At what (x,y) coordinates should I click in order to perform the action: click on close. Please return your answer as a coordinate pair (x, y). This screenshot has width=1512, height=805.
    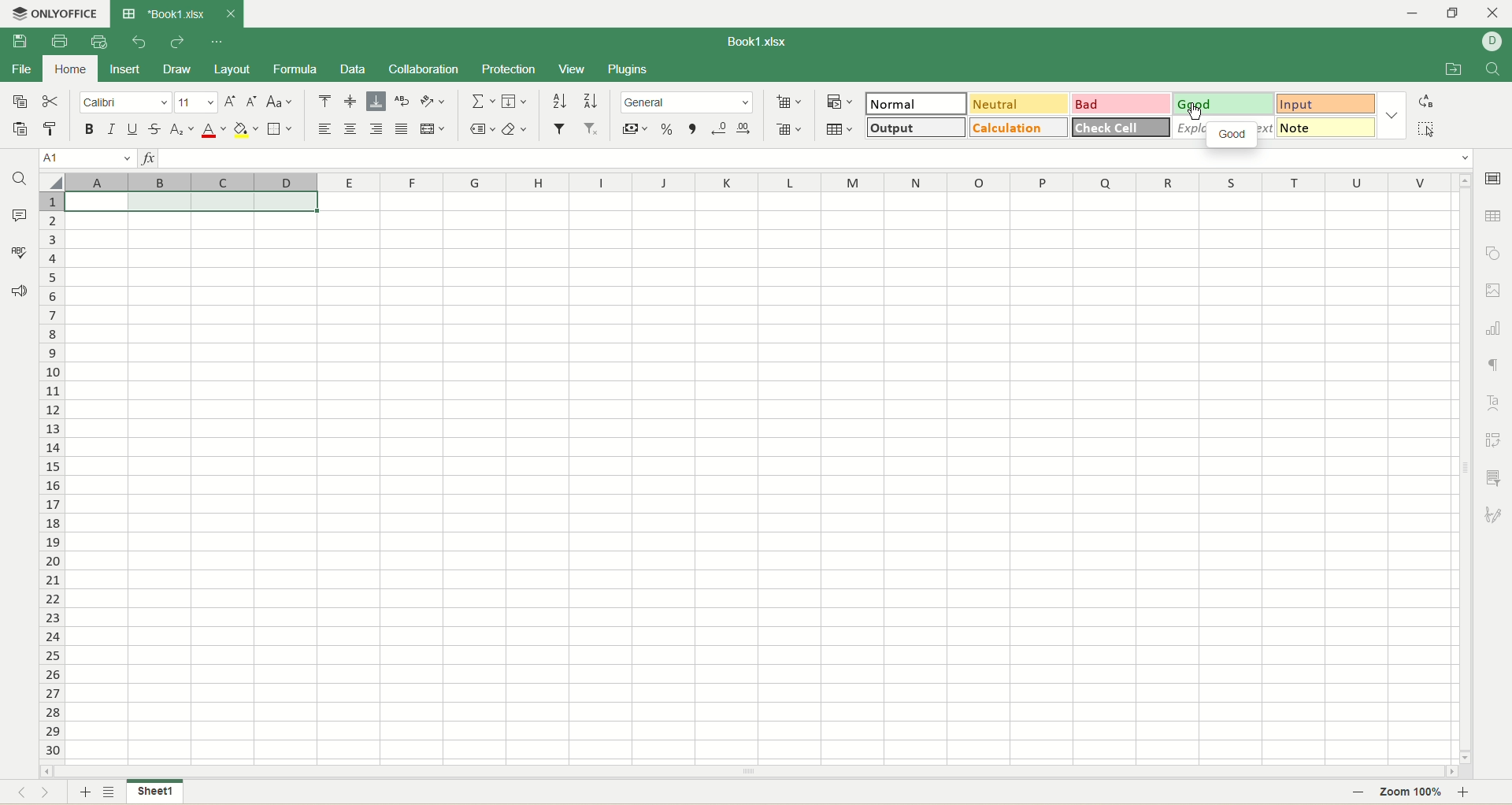
    Looking at the image, I should click on (1495, 12).